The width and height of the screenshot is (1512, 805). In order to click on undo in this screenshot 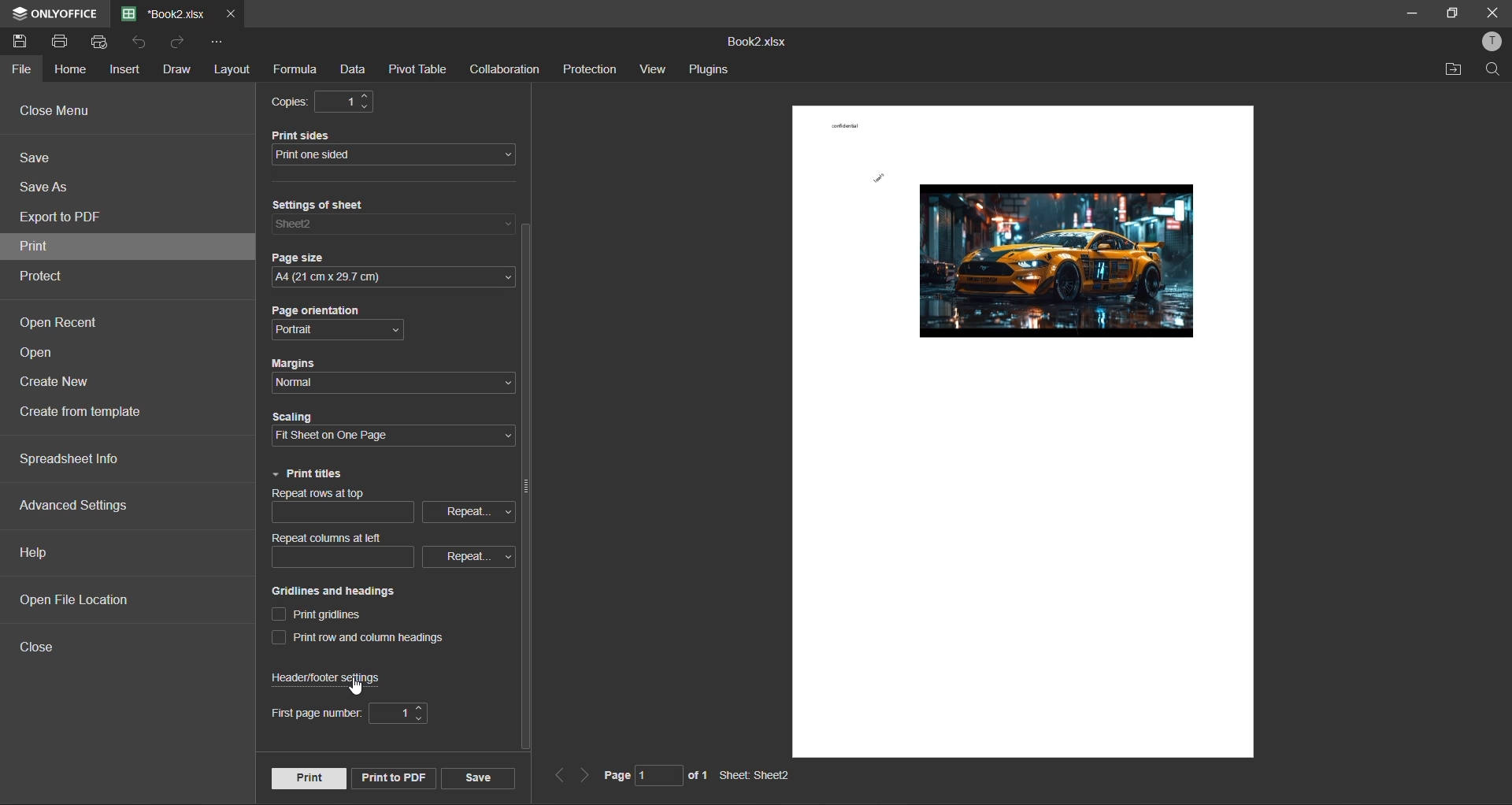, I will do `click(141, 45)`.